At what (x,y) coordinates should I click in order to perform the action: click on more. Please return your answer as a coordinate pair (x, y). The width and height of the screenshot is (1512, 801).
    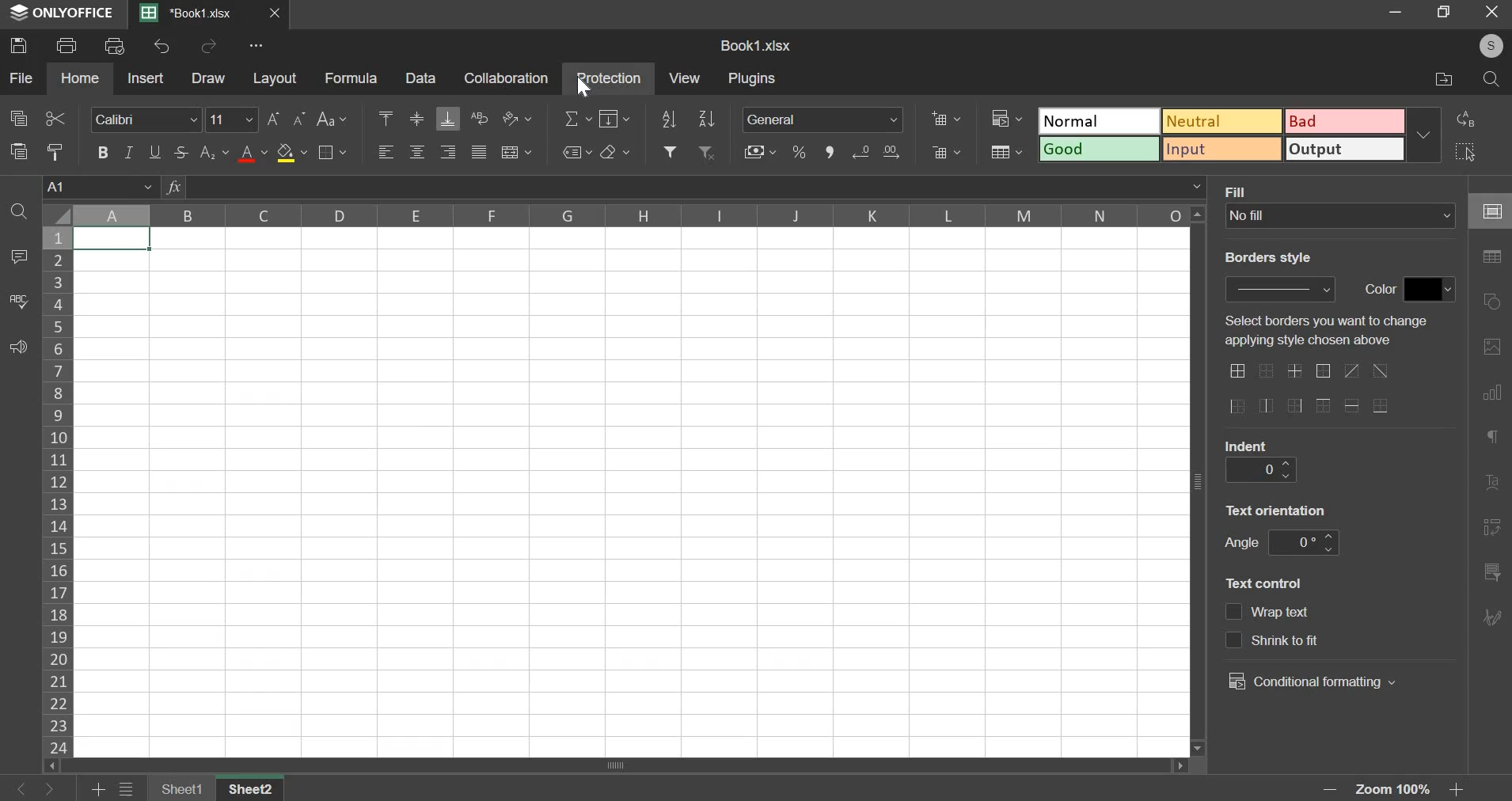
    Looking at the image, I should click on (259, 45).